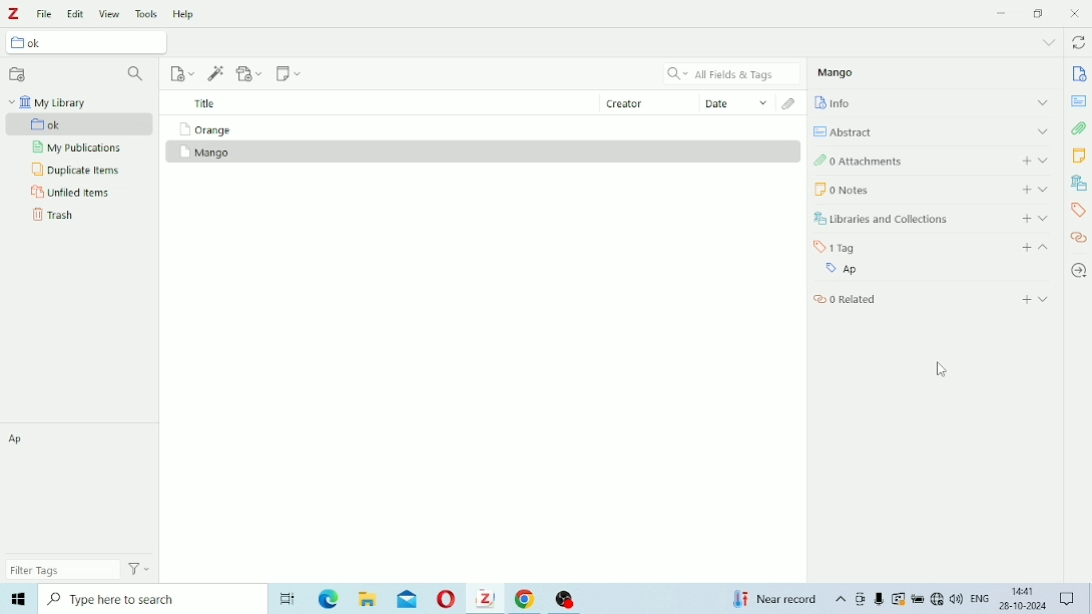 Image resolution: width=1092 pixels, height=614 pixels. I want to click on Edit, so click(76, 15).